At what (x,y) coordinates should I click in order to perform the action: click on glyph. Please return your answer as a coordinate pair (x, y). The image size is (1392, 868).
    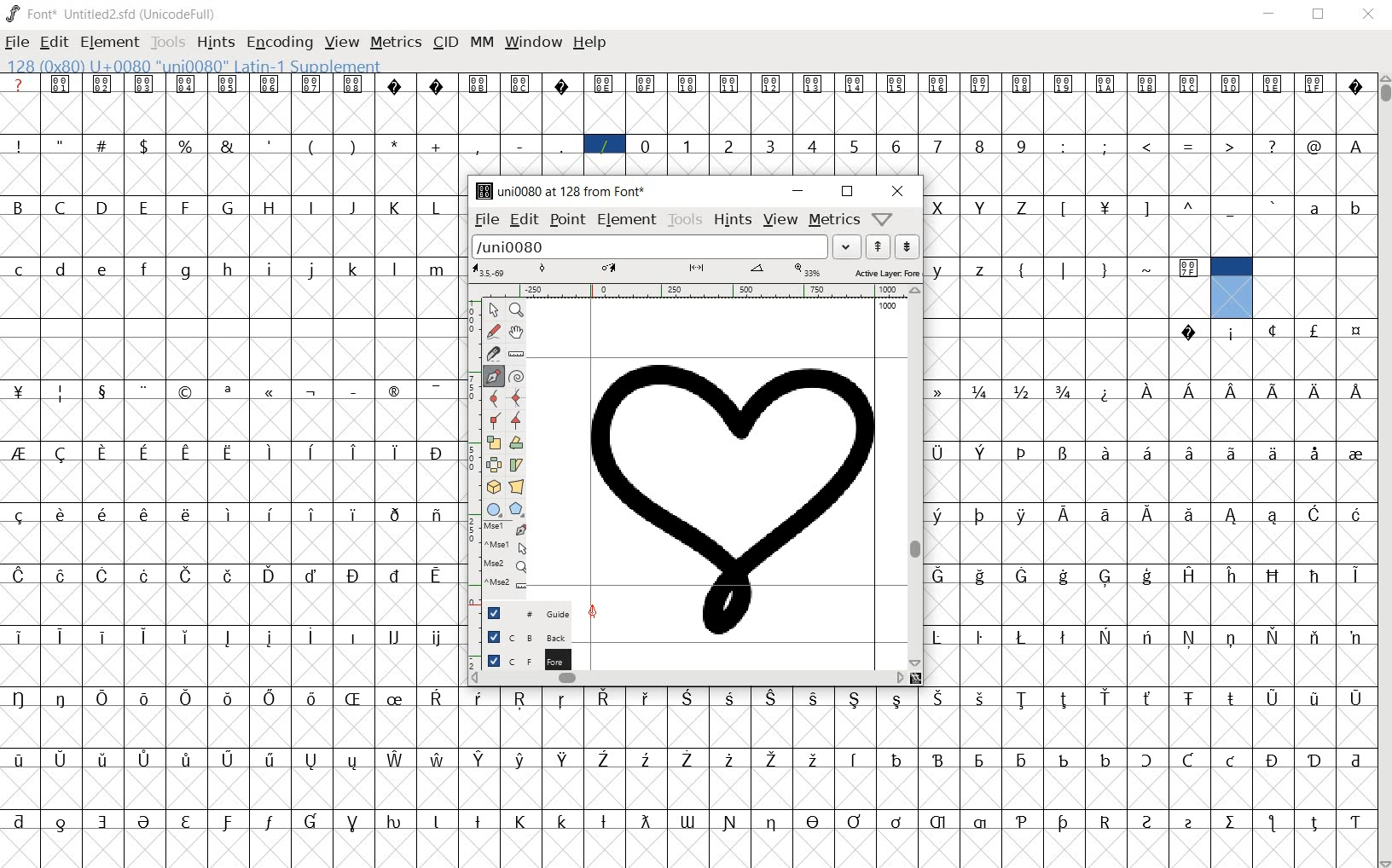
    Looking at the image, I should click on (814, 821).